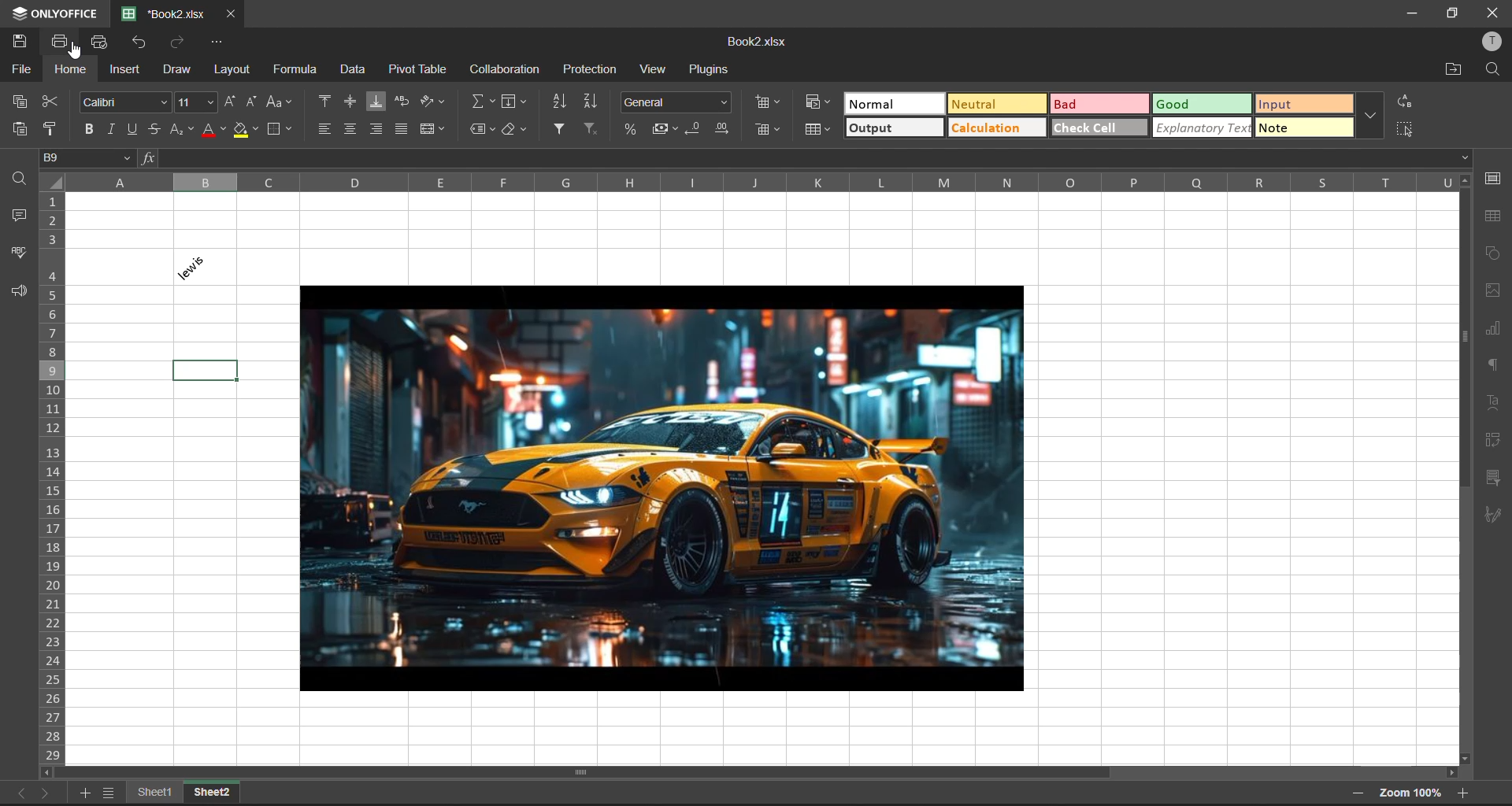 Image resolution: width=1512 pixels, height=806 pixels. What do you see at coordinates (513, 102) in the screenshot?
I see `fields` at bounding box center [513, 102].